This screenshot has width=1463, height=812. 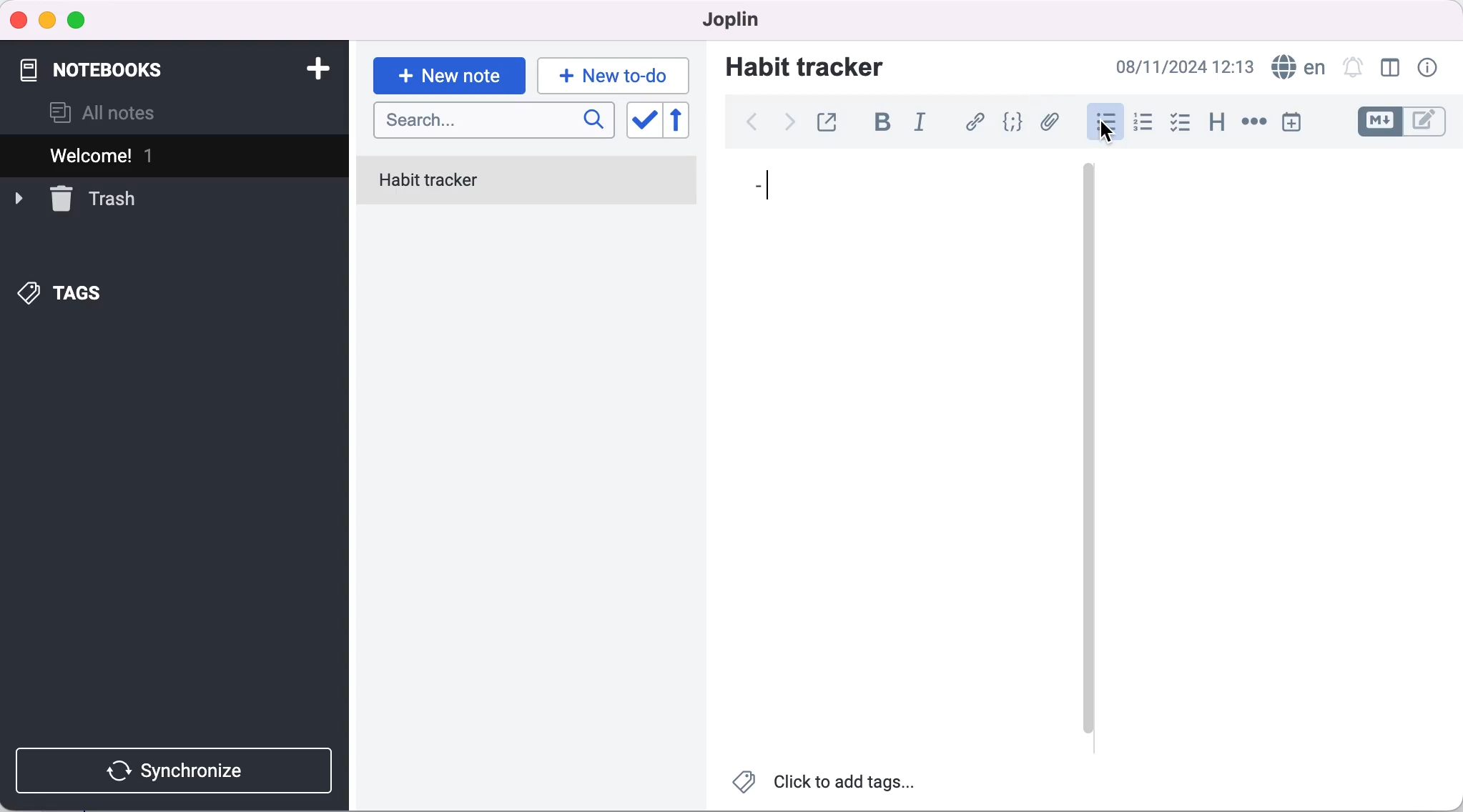 What do you see at coordinates (1352, 66) in the screenshot?
I see `set alarm` at bounding box center [1352, 66].